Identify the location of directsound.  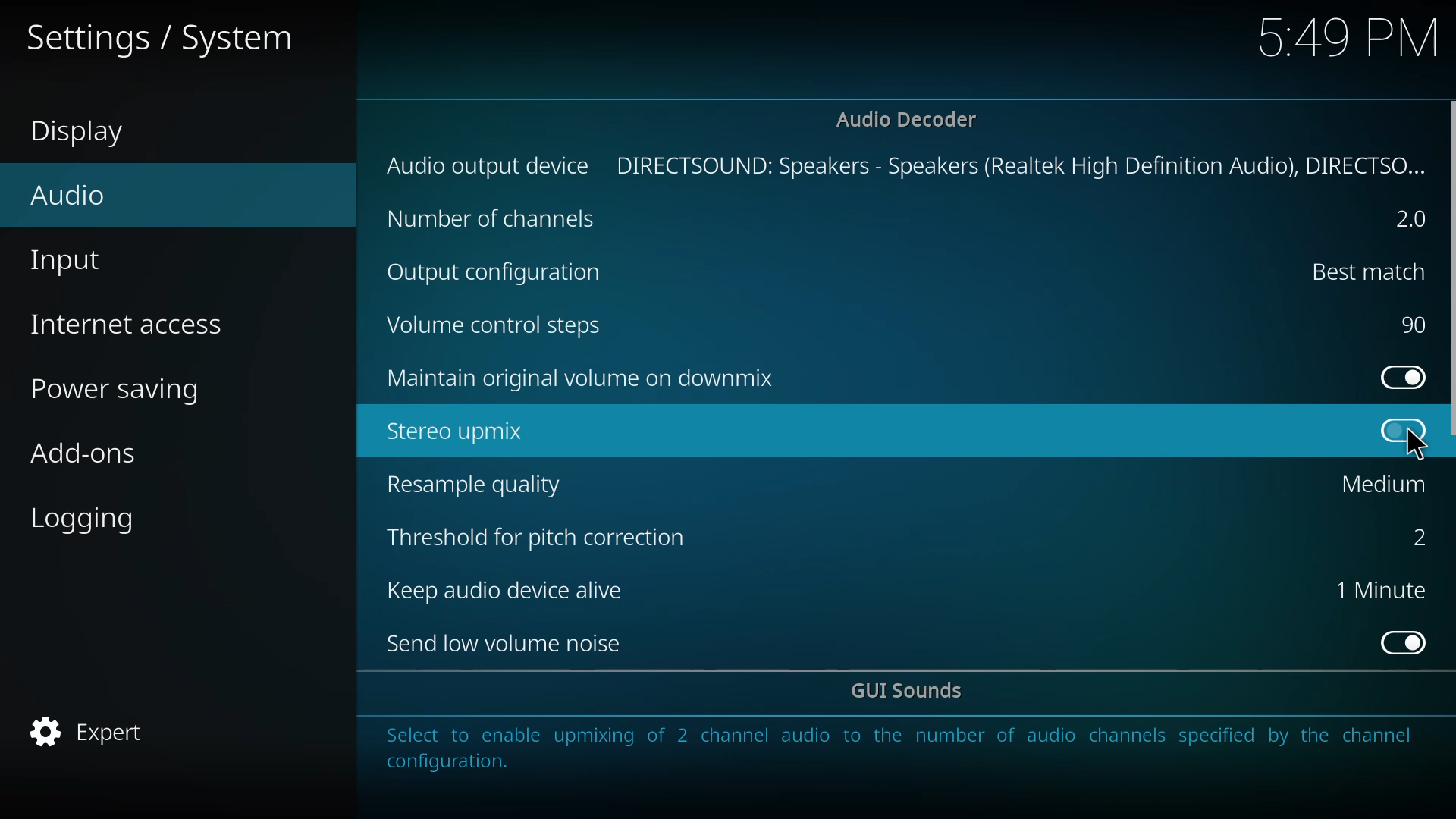
(1021, 162).